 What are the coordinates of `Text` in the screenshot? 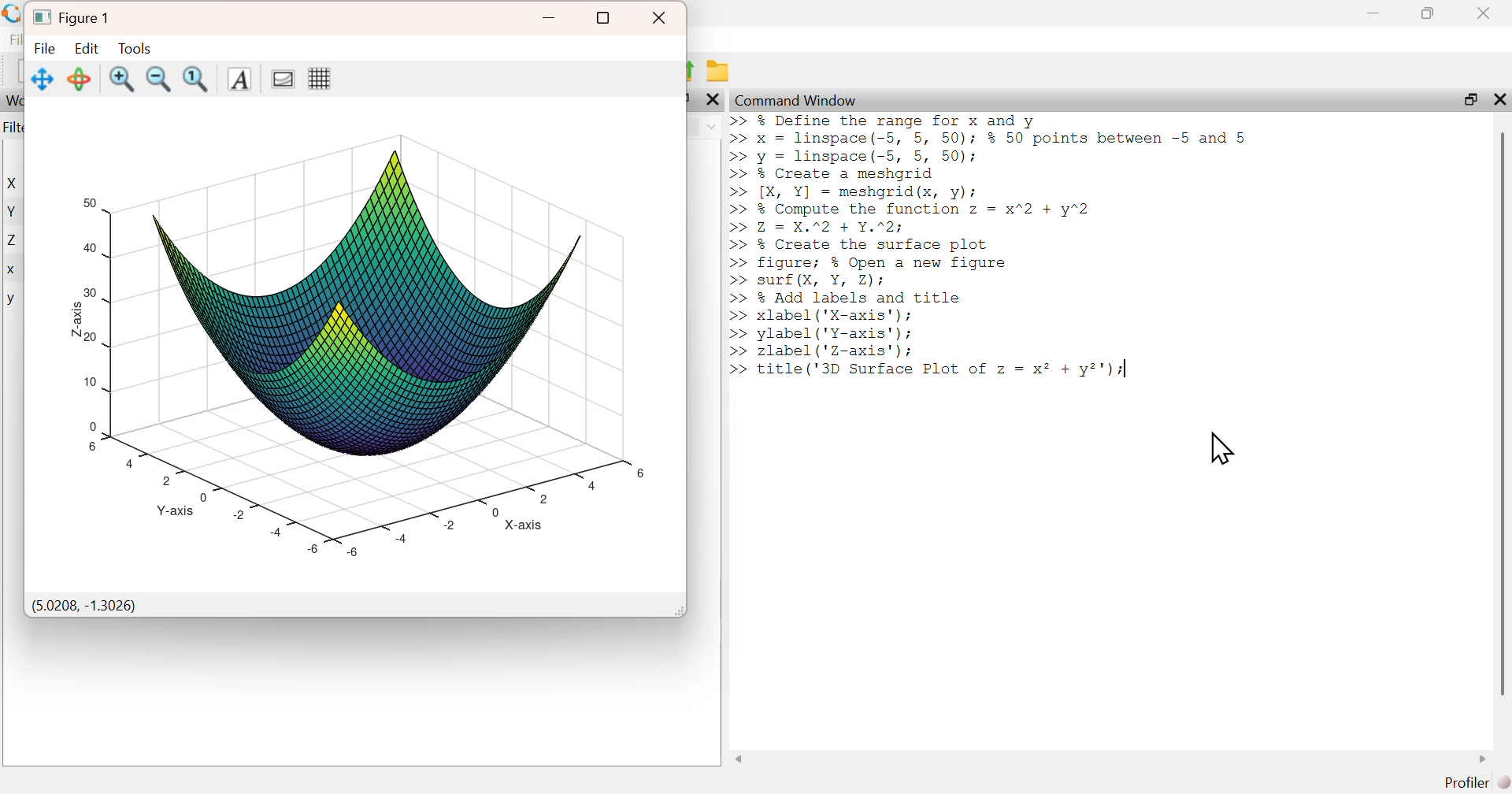 It's located at (238, 80).